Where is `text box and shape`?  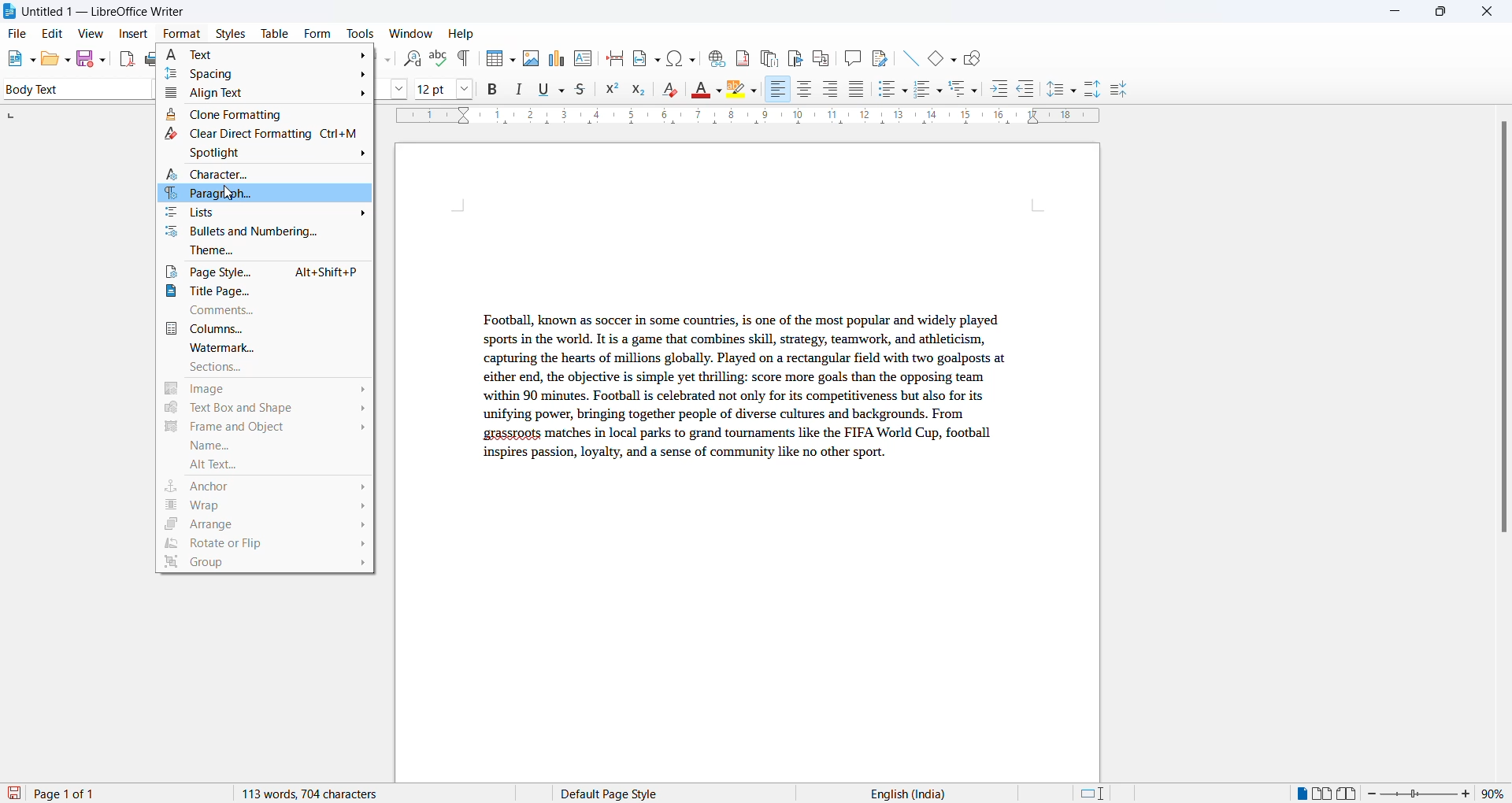
text box and shape is located at coordinates (263, 409).